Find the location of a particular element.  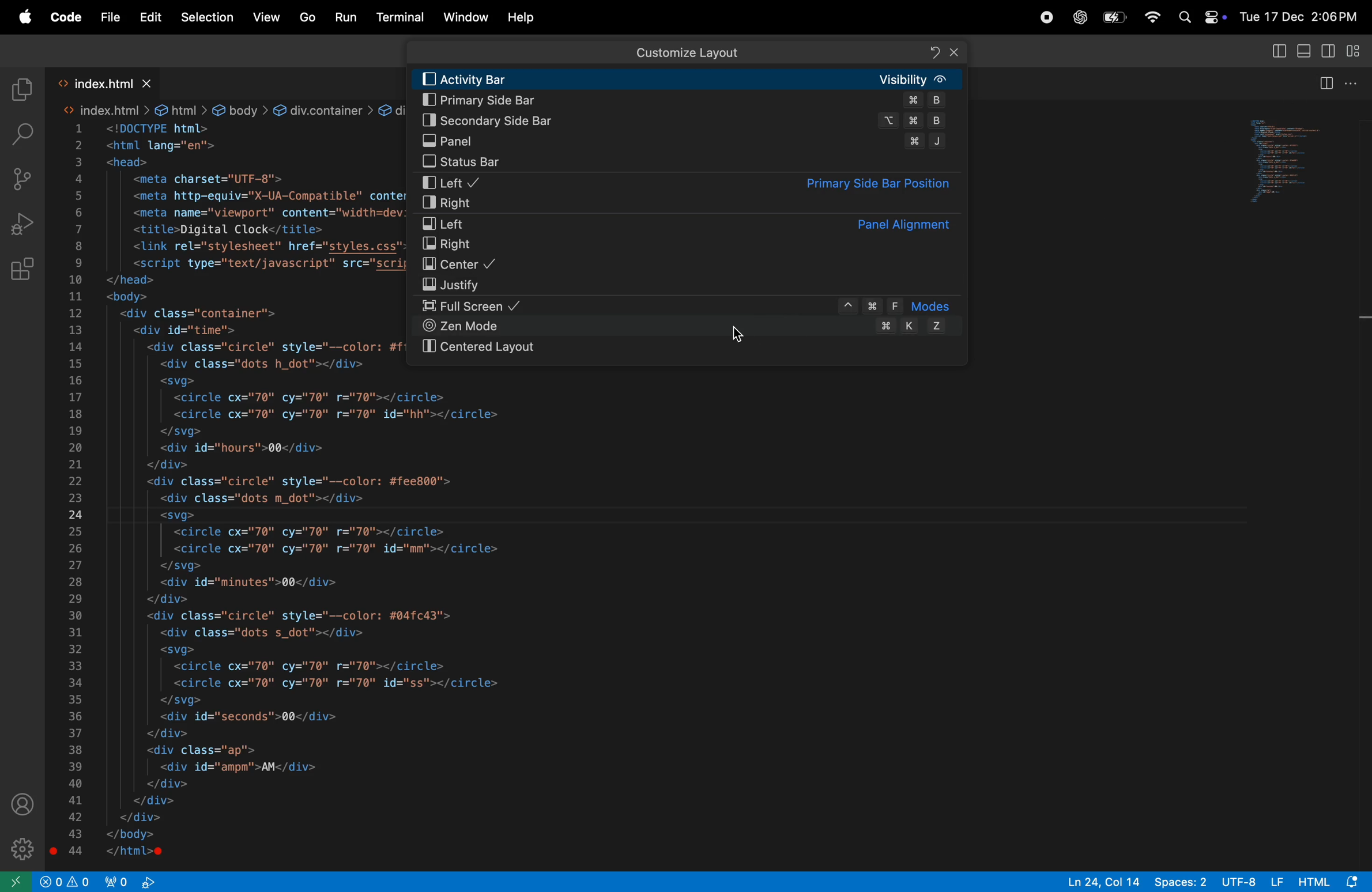

code is located at coordinates (66, 17).